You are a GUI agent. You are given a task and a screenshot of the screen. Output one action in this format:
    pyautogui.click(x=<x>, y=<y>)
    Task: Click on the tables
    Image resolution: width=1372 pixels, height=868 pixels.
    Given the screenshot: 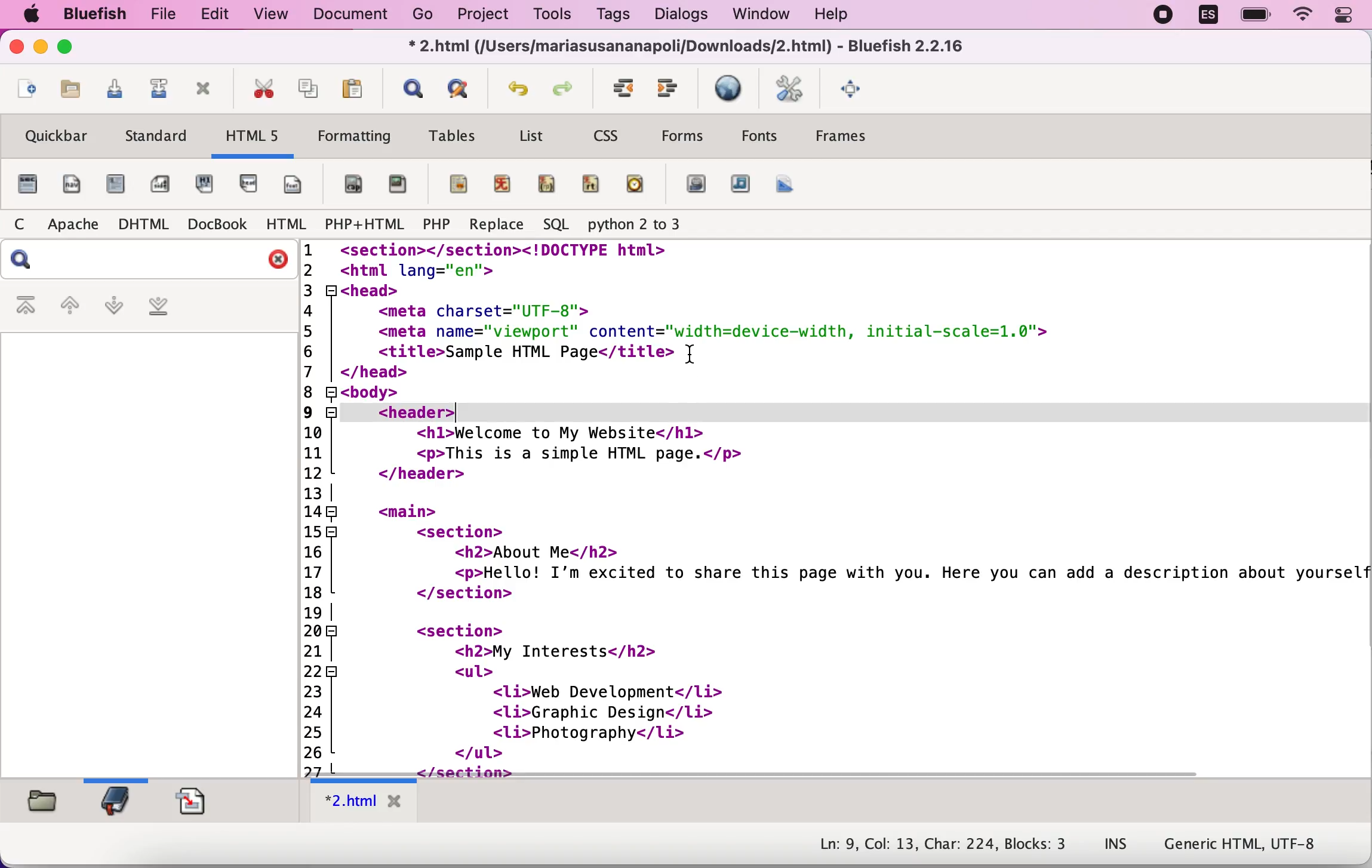 What is the action you would take?
    pyautogui.click(x=454, y=135)
    